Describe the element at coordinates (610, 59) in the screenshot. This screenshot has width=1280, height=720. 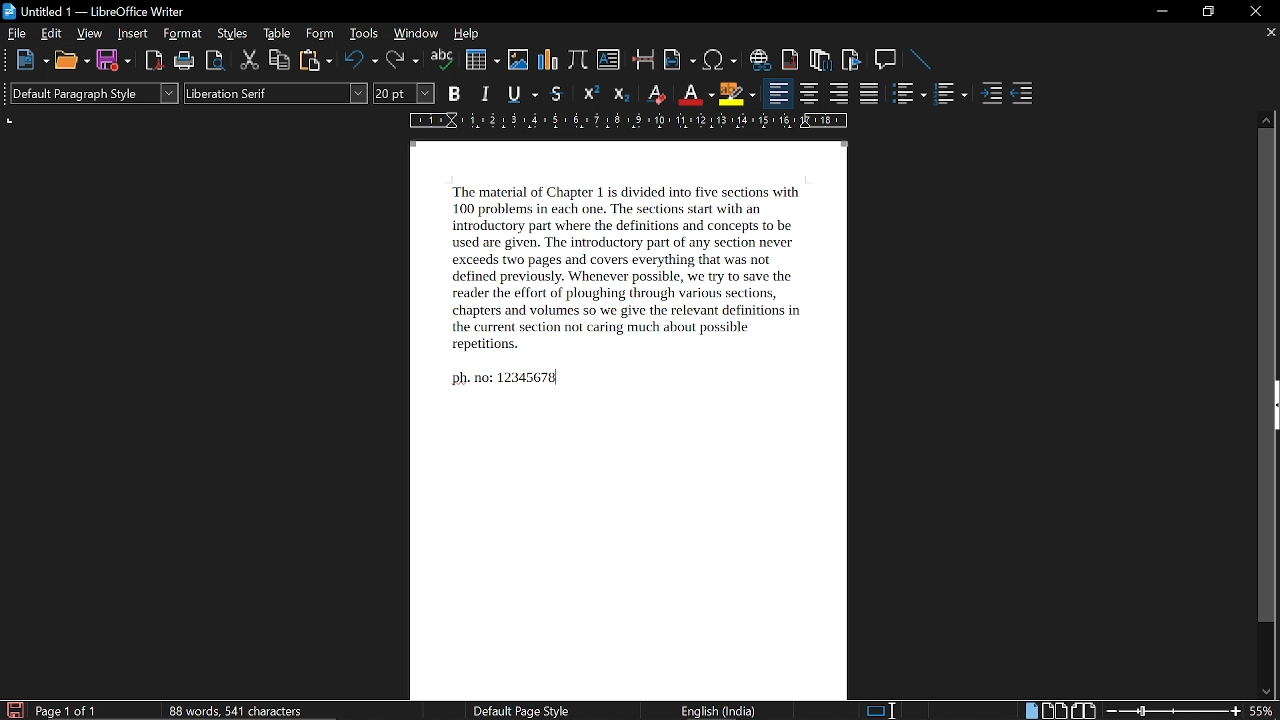
I see `insert text` at that location.